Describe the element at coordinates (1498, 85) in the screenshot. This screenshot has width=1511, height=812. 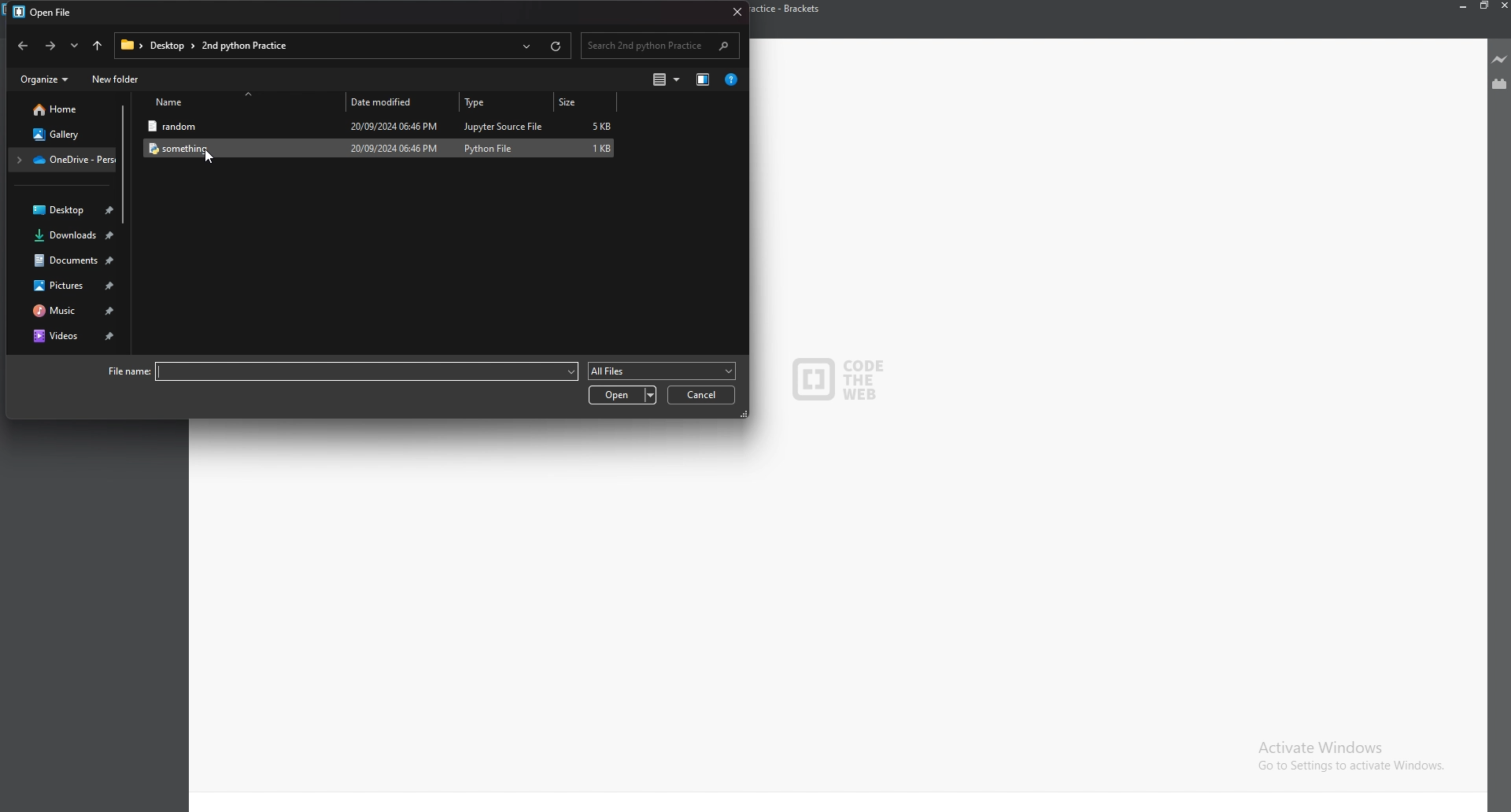
I see `extension viewer` at that location.